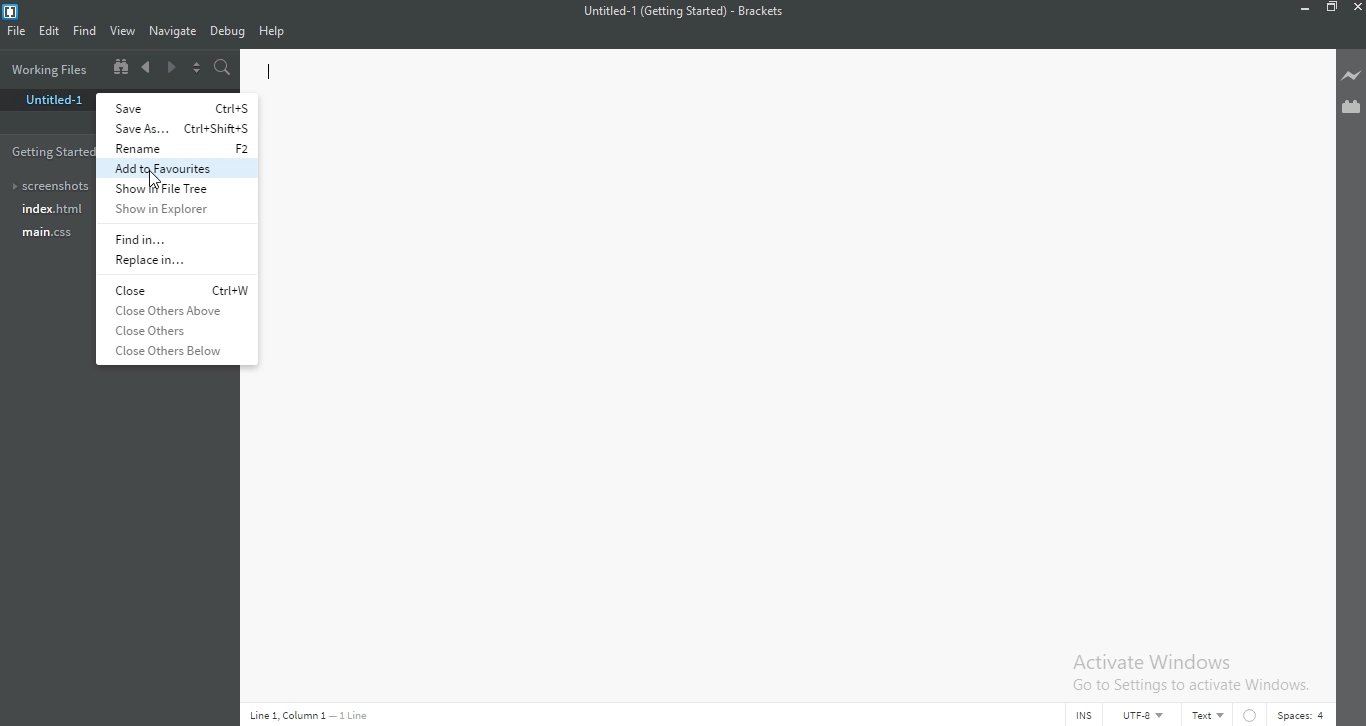  I want to click on Next , so click(173, 68).